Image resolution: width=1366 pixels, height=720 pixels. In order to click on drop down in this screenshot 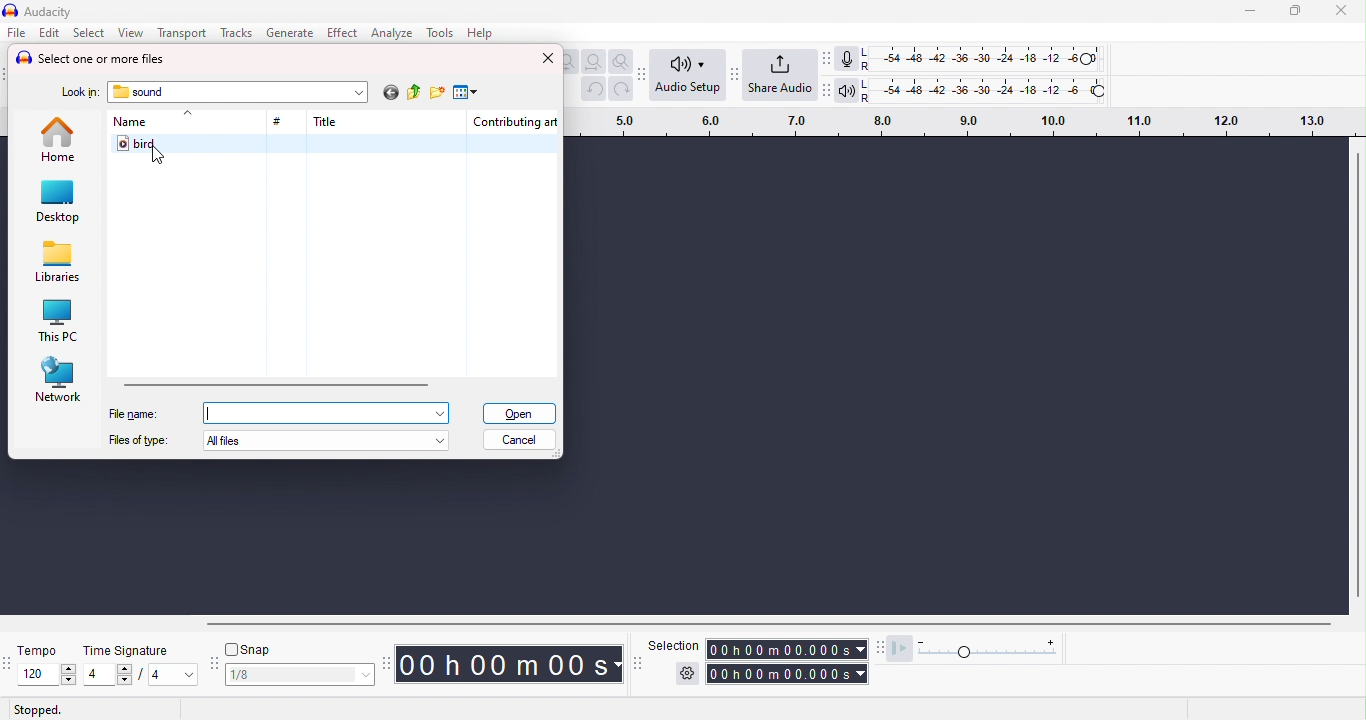, I will do `click(358, 92)`.